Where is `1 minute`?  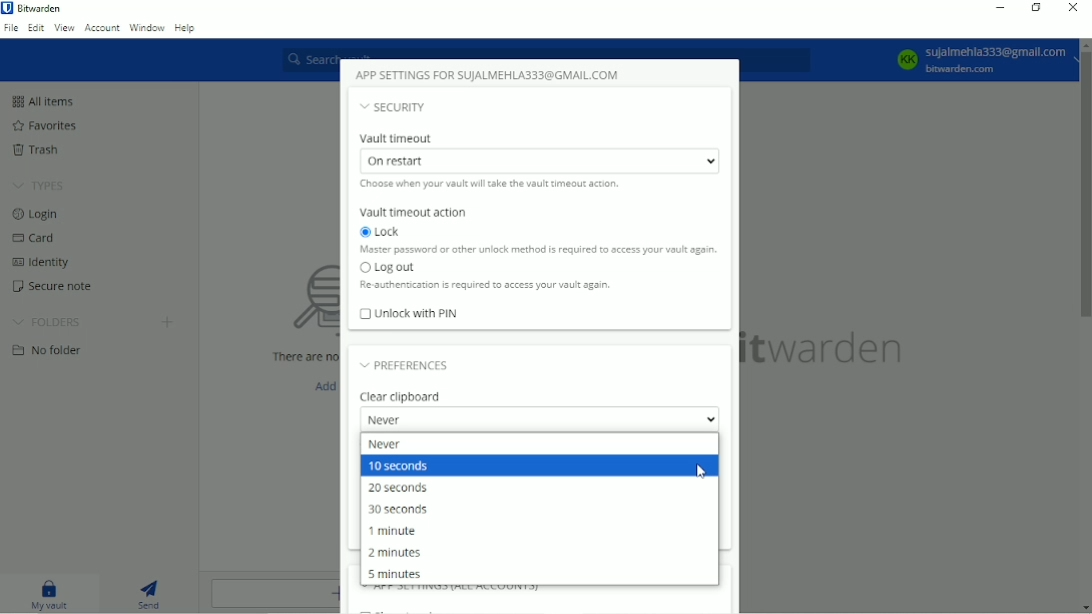
1 minute is located at coordinates (394, 530).